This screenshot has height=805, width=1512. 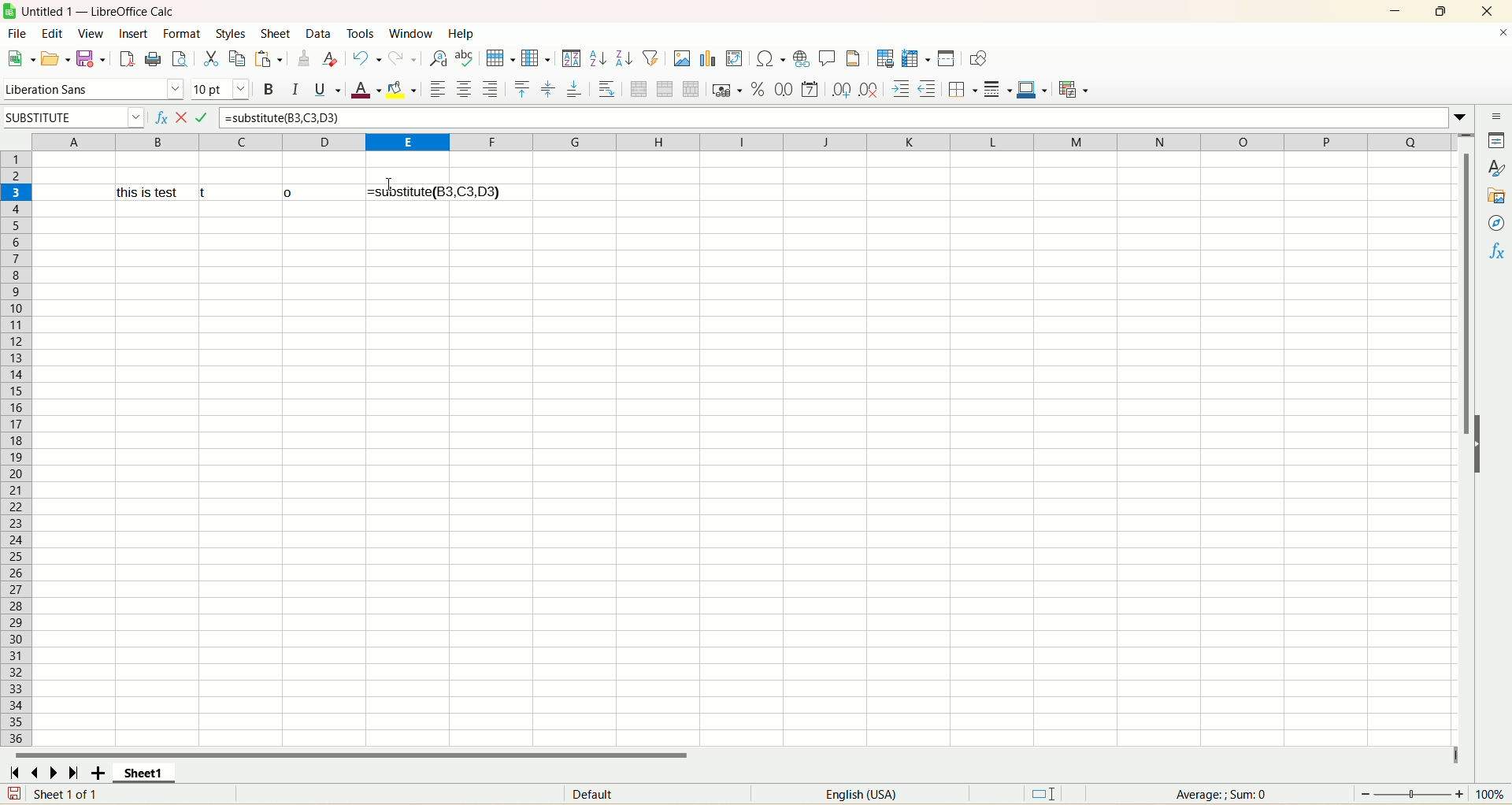 What do you see at coordinates (947, 60) in the screenshot?
I see `split window` at bounding box center [947, 60].